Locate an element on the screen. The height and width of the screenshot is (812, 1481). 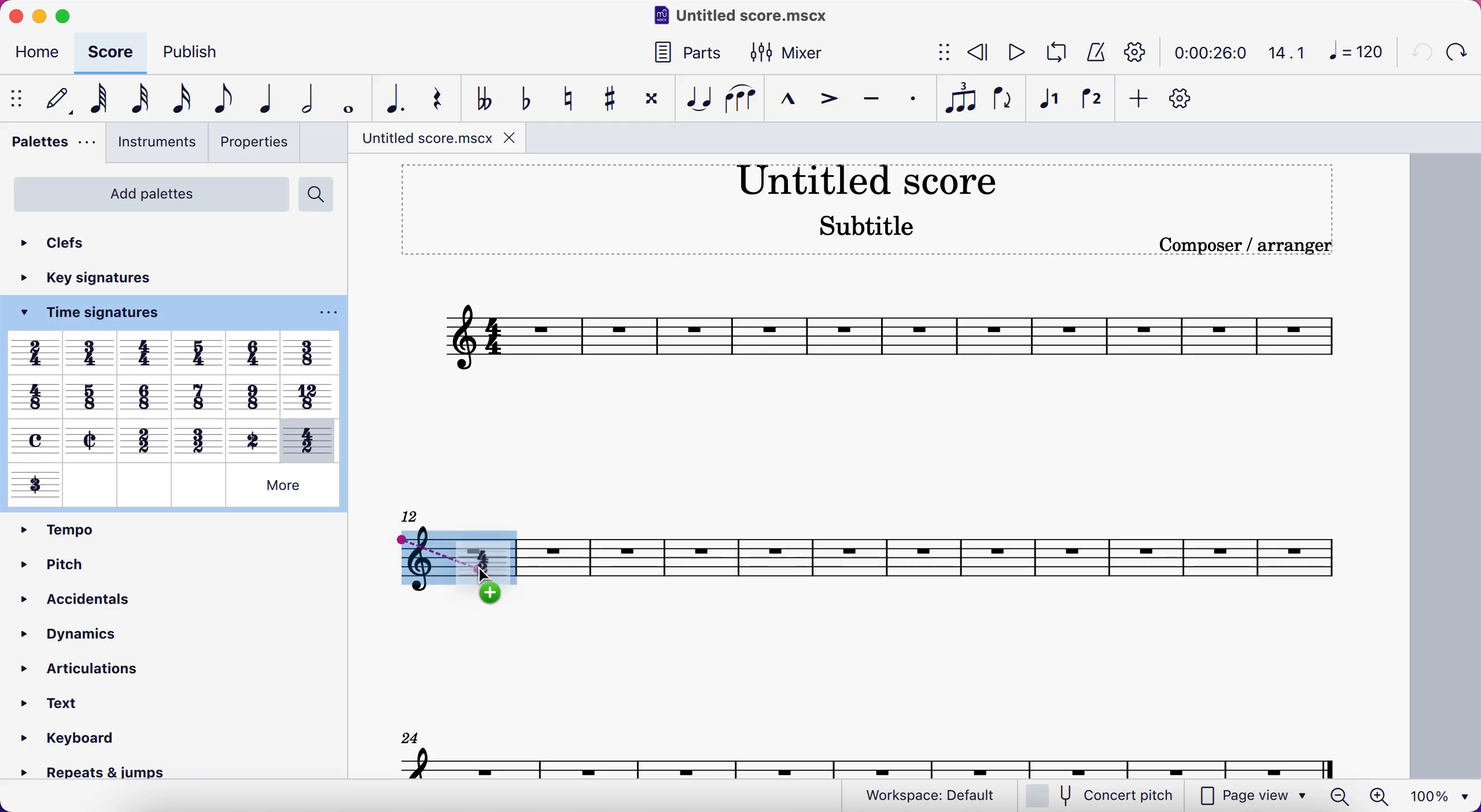
rewind is located at coordinates (973, 54).